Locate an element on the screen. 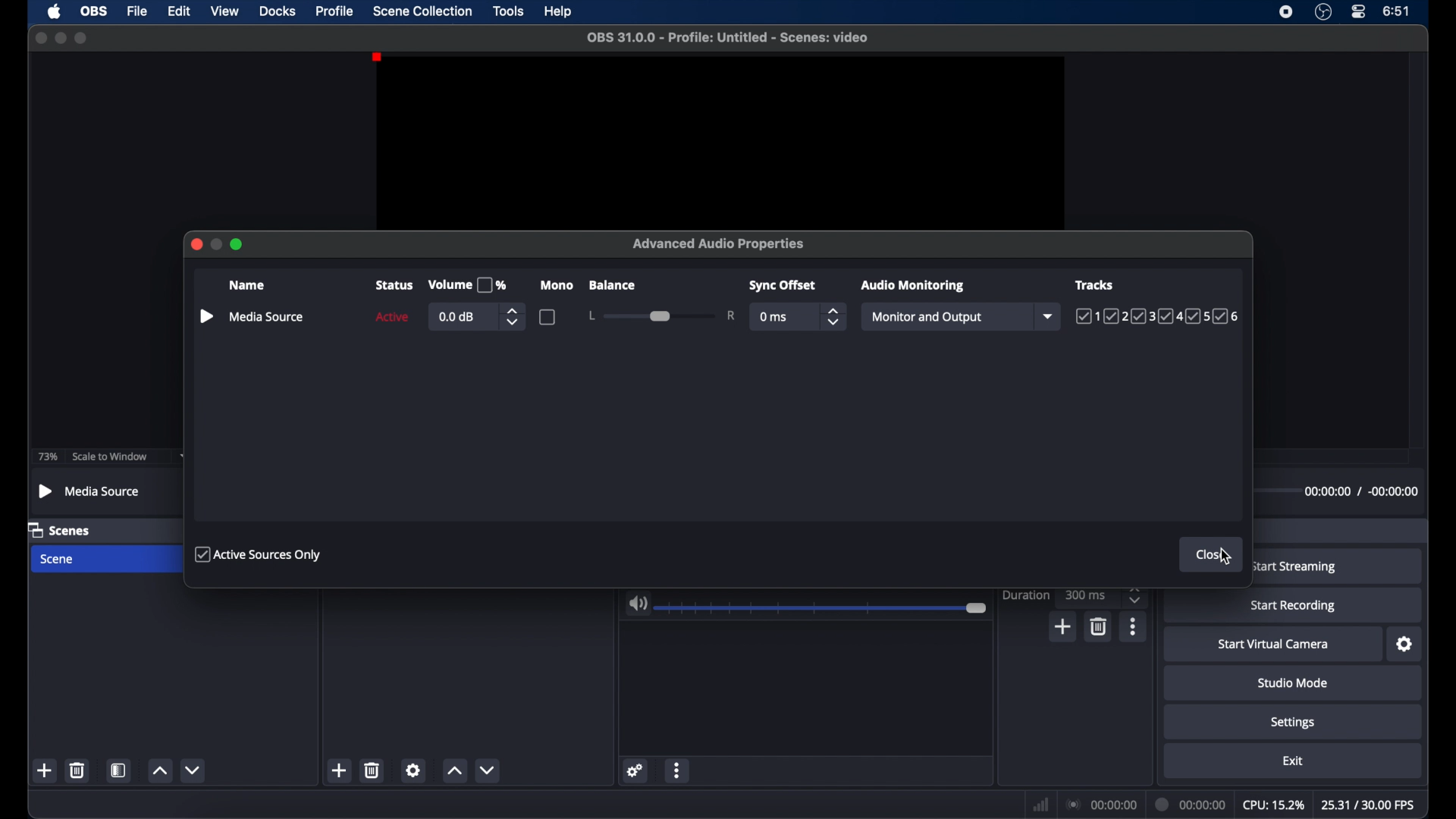 Image resolution: width=1456 pixels, height=819 pixels. start streaming is located at coordinates (1294, 567).